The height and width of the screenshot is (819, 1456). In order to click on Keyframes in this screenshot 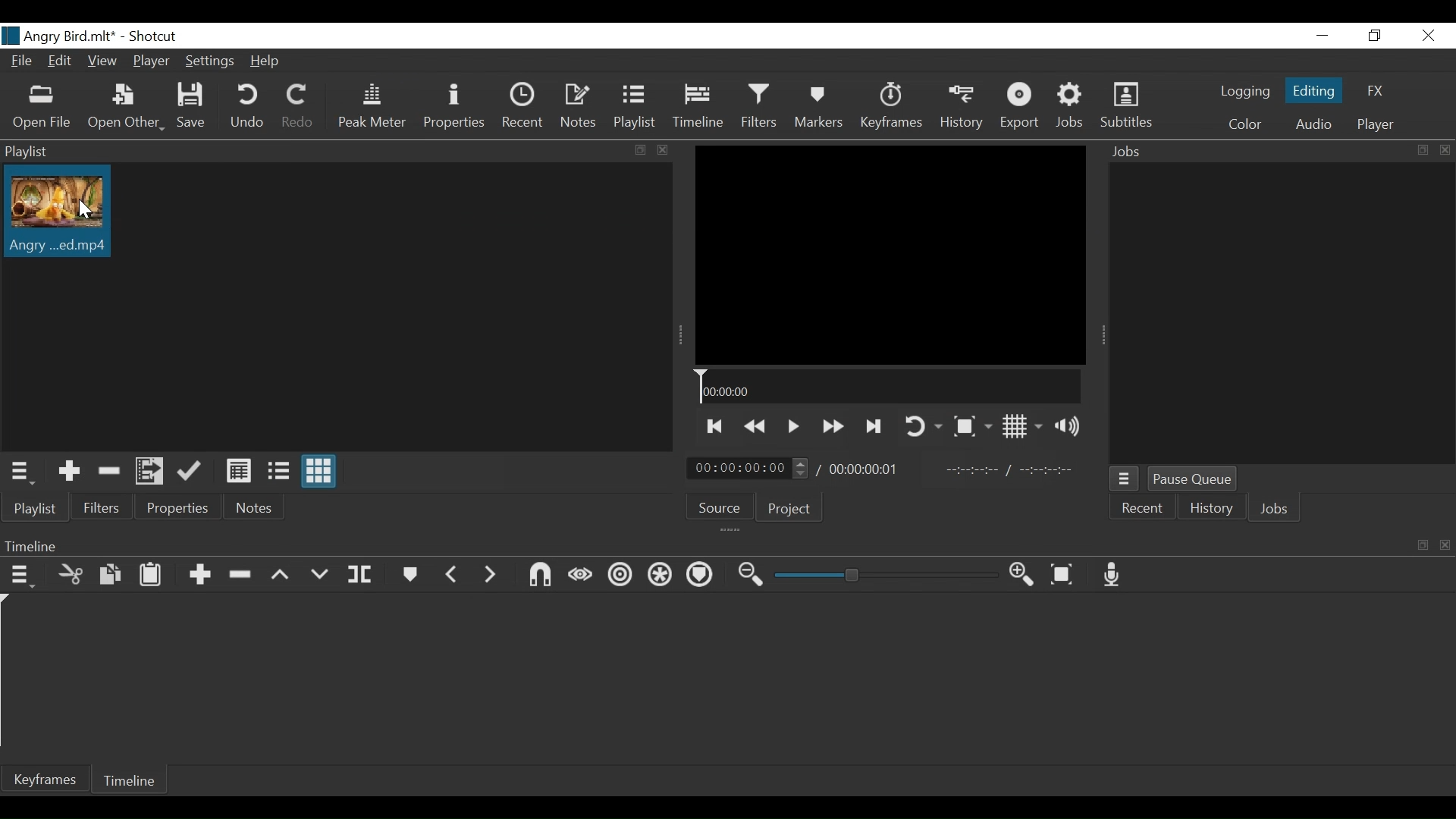, I will do `click(891, 106)`.